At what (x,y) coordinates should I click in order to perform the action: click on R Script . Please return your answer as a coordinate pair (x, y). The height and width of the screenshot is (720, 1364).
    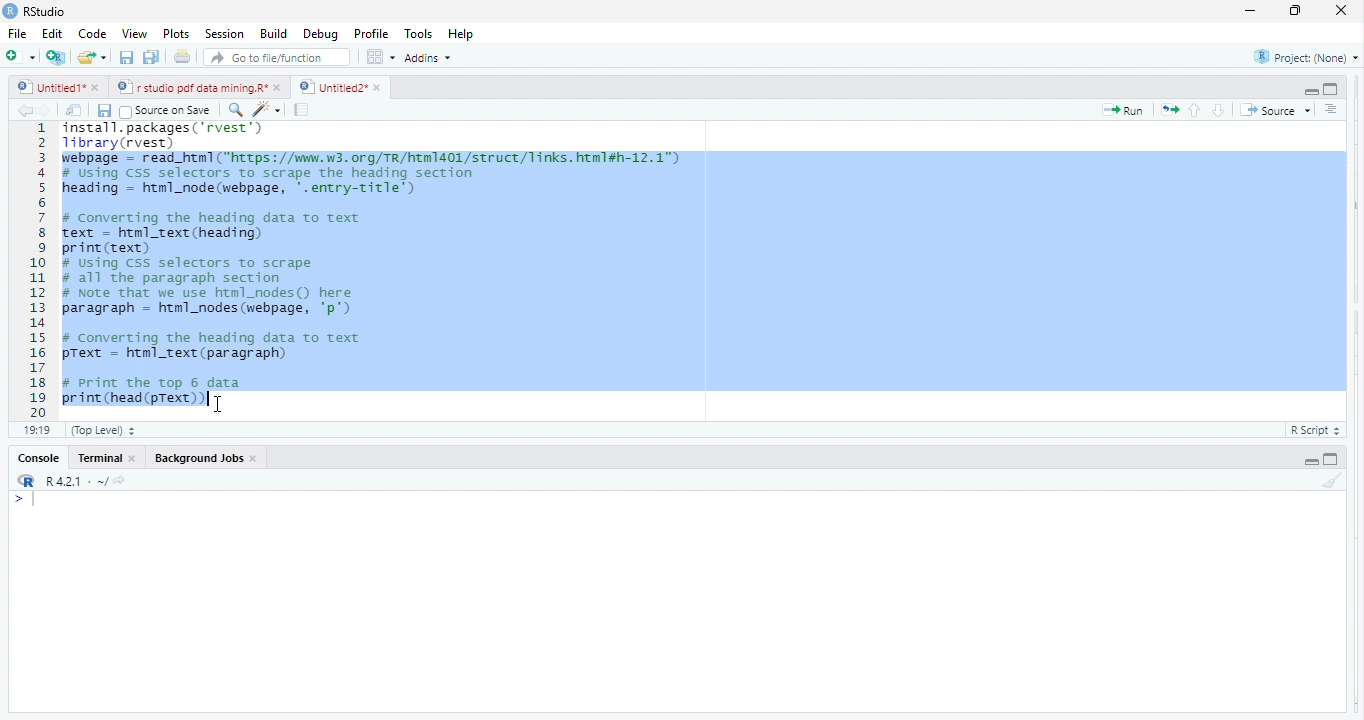
    Looking at the image, I should click on (1312, 431).